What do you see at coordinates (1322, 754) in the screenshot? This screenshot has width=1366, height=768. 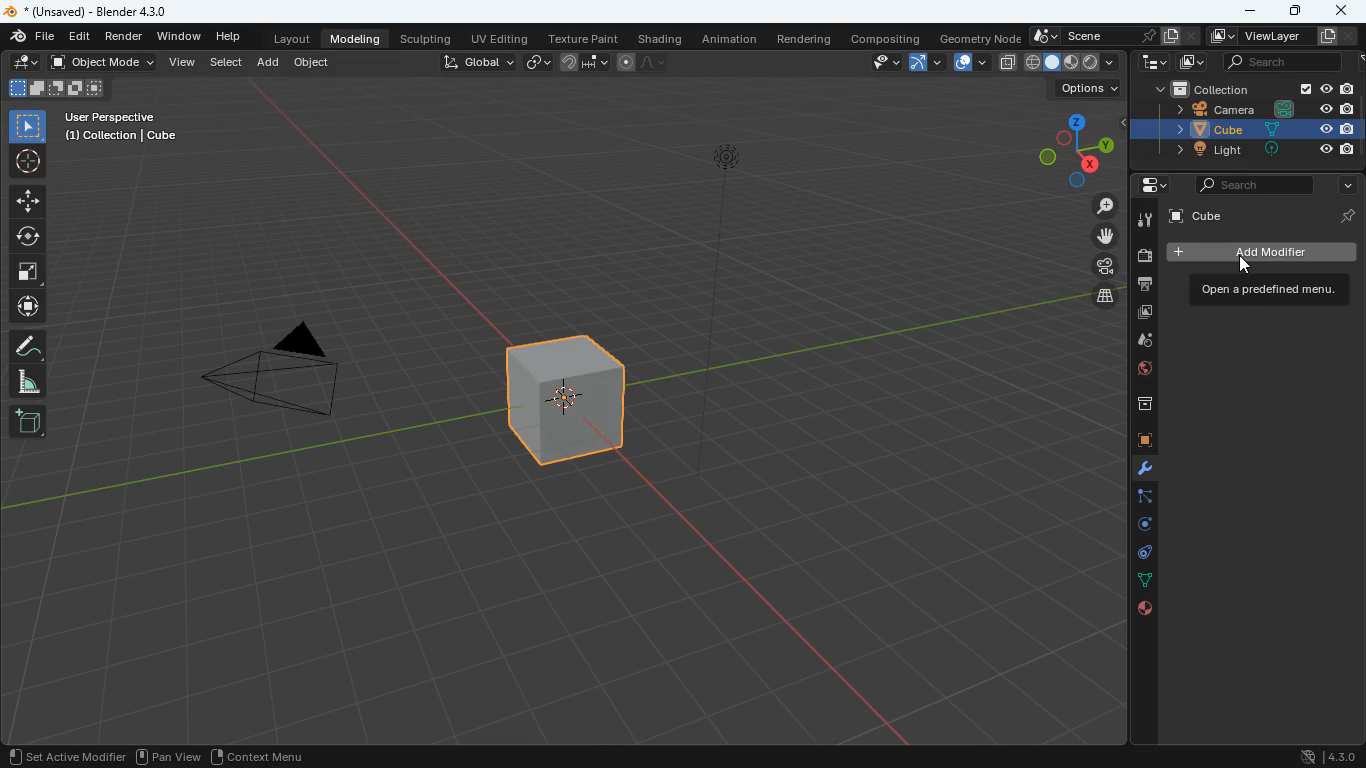 I see `version` at bounding box center [1322, 754].